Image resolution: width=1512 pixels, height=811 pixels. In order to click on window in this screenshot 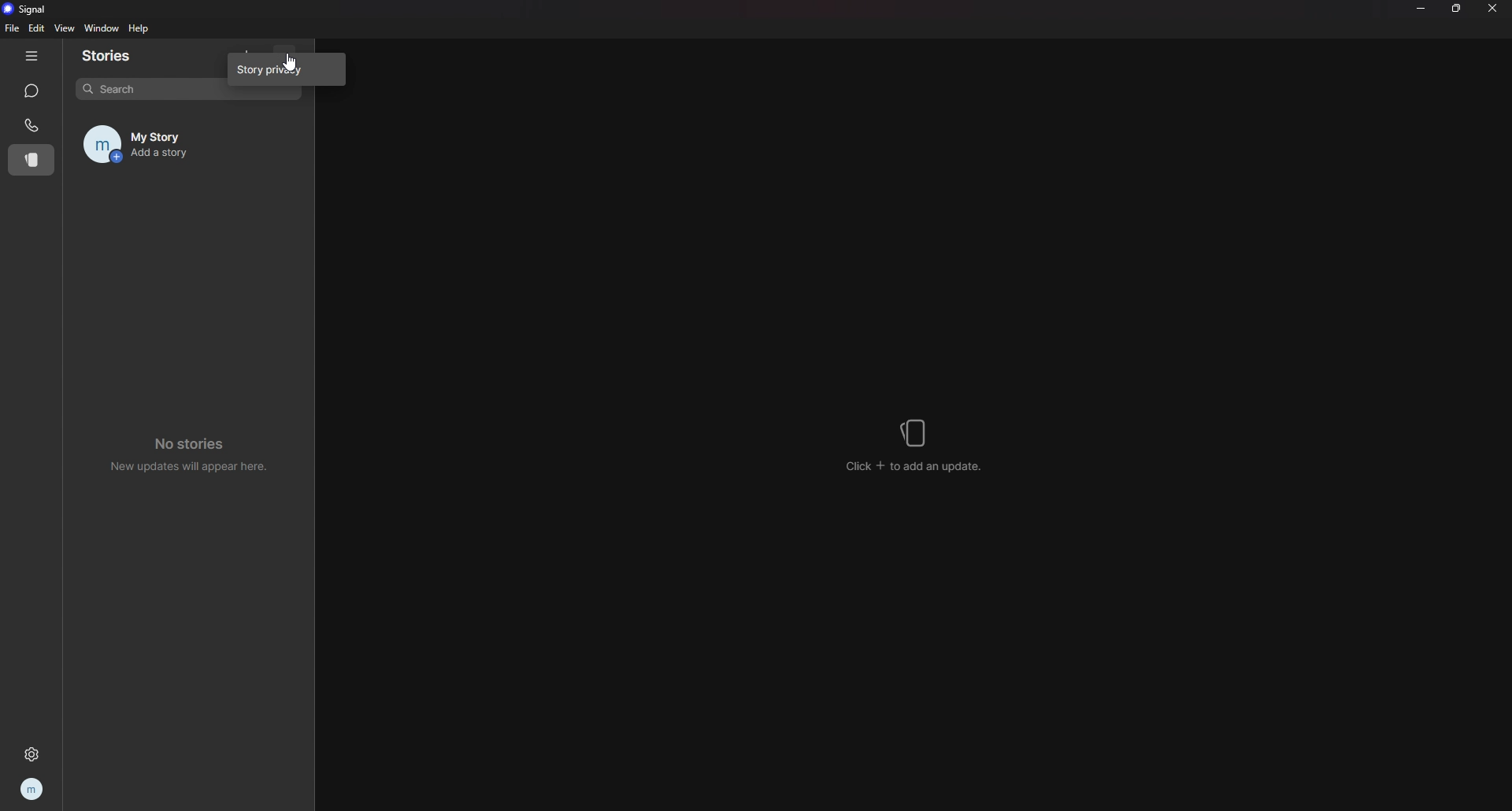, I will do `click(104, 29)`.